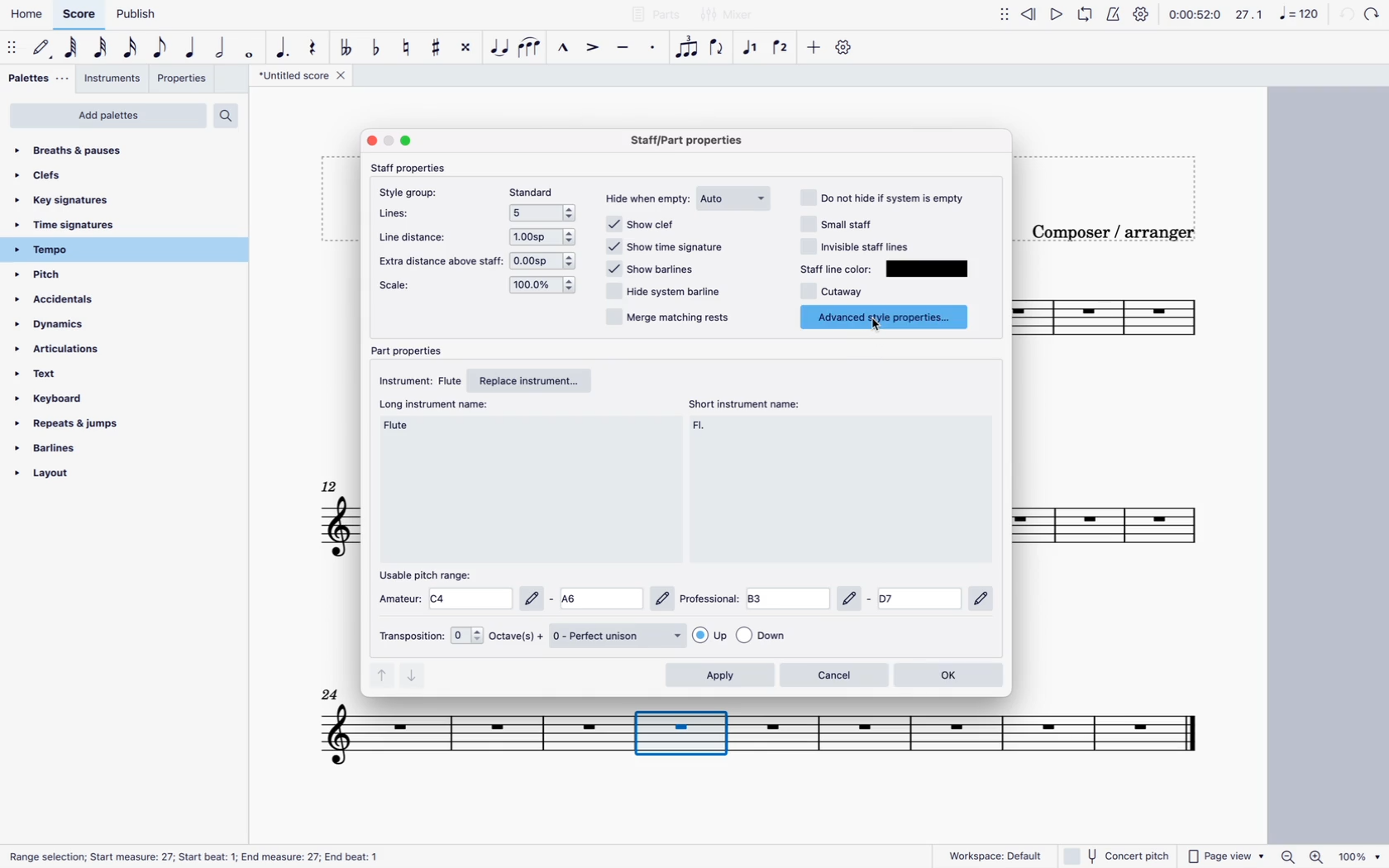  What do you see at coordinates (752, 46) in the screenshot?
I see `voice 1` at bounding box center [752, 46].